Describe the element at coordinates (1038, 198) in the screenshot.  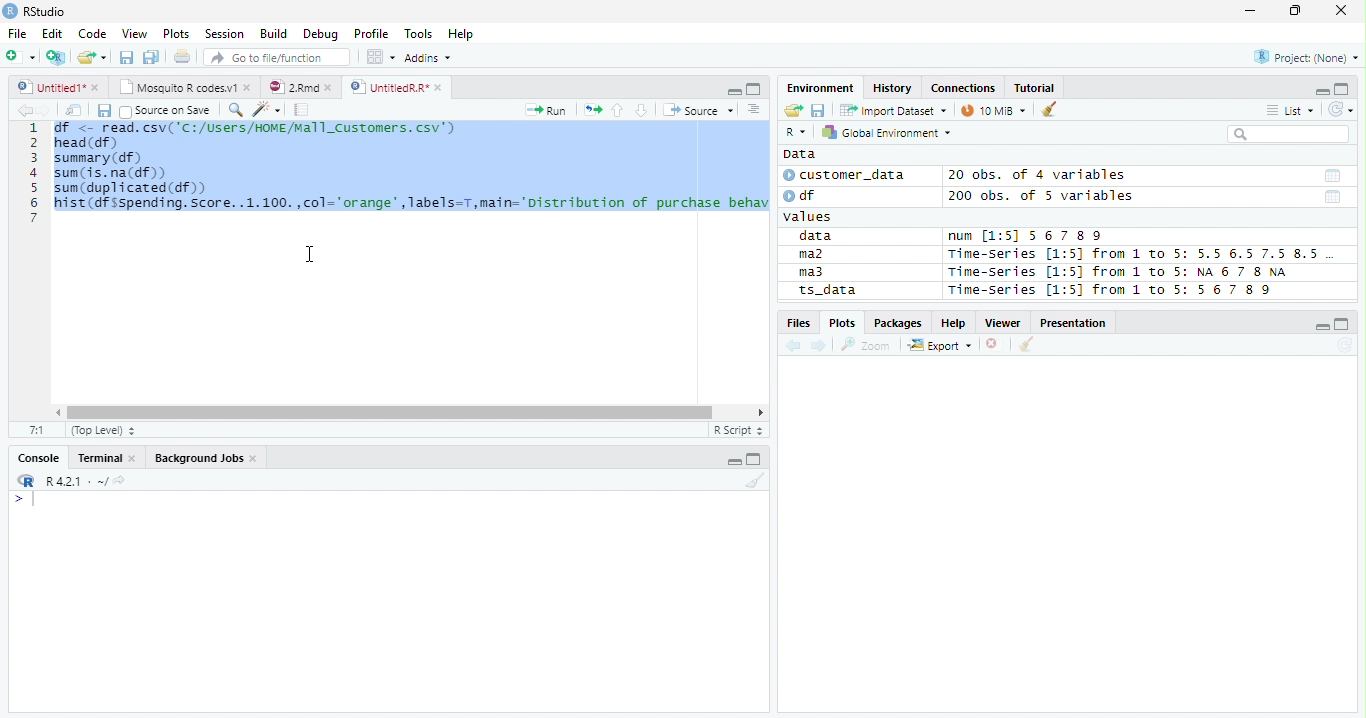
I see `200 obs. of 5 variables` at that location.